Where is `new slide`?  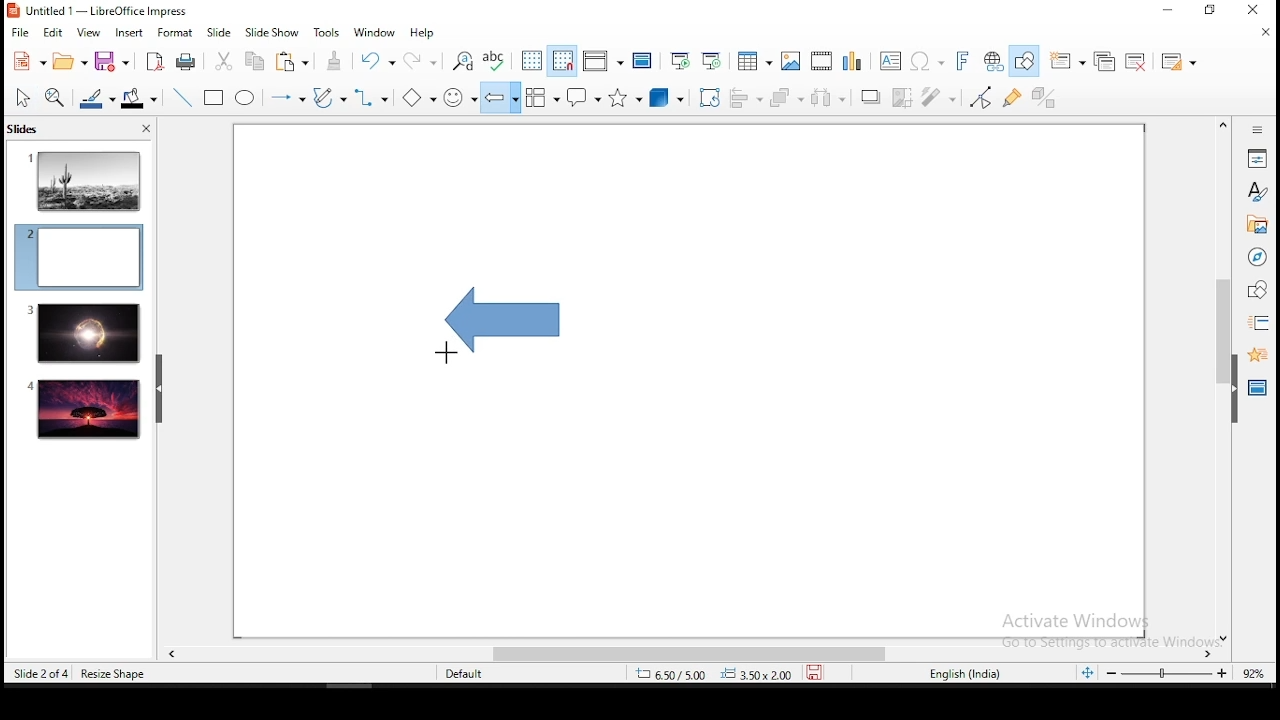 new slide is located at coordinates (1069, 60).